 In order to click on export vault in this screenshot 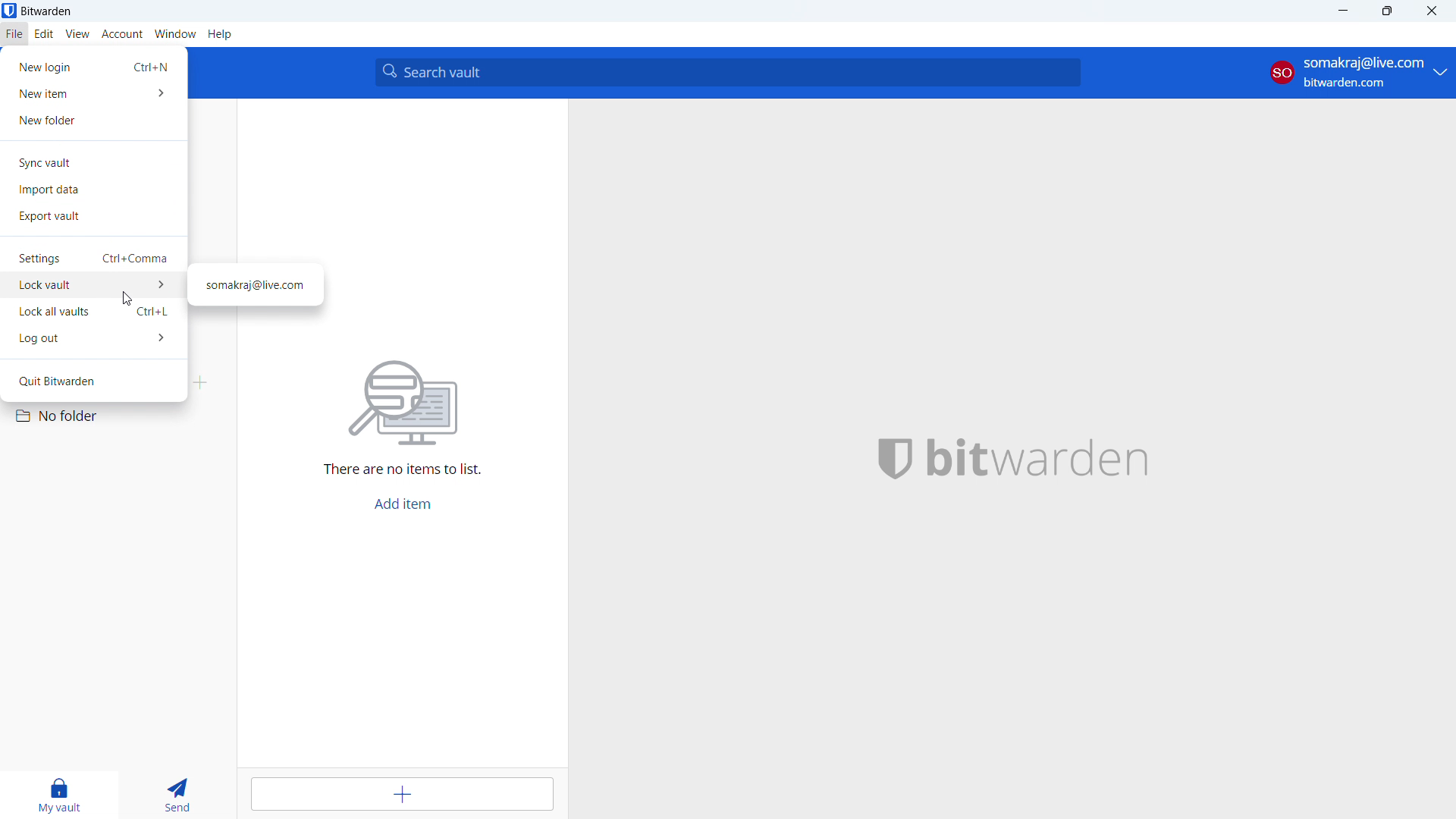, I will do `click(94, 216)`.